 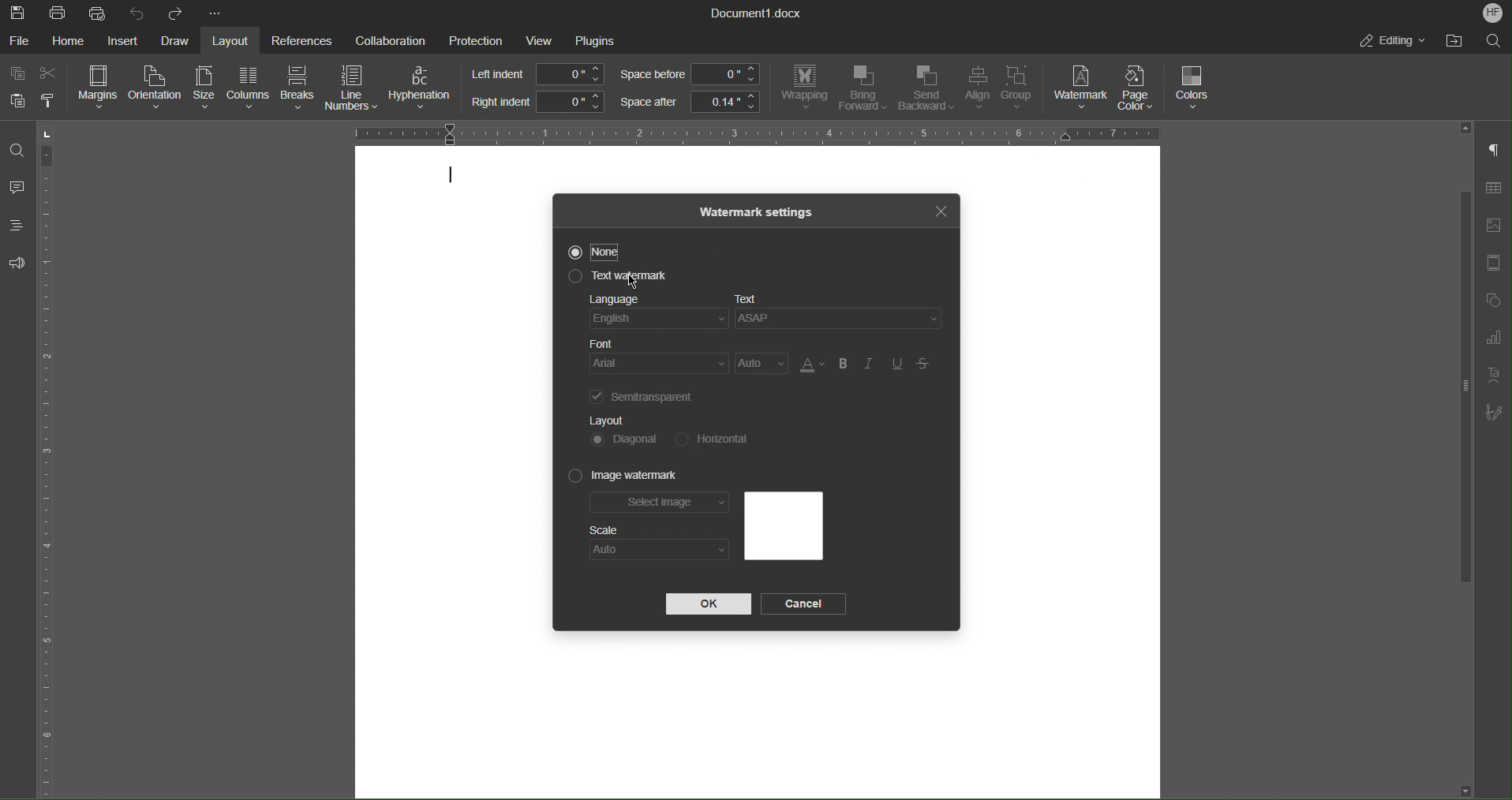 I want to click on Insert, so click(x=122, y=41).